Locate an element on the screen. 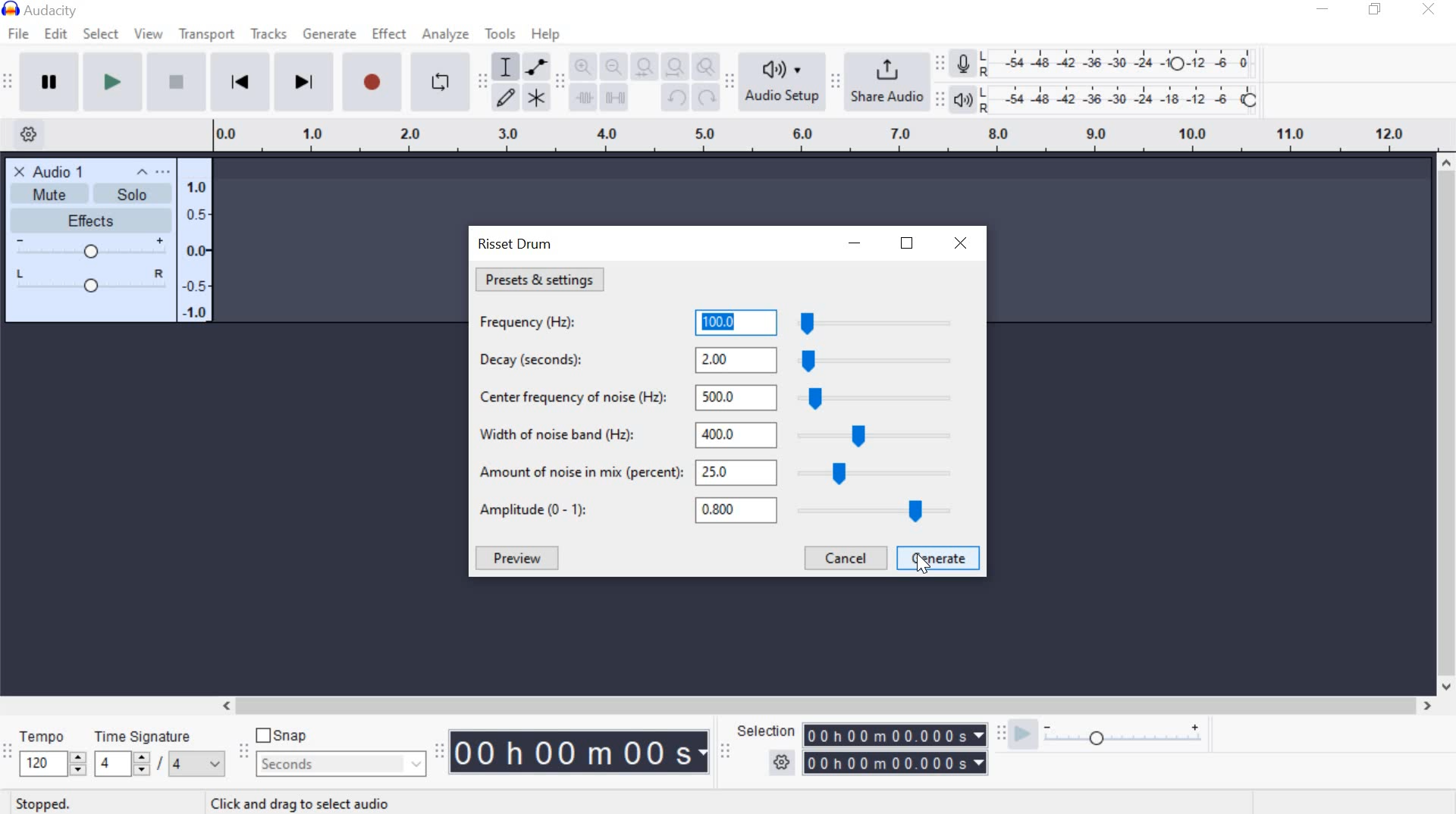 The image size is (1456, 814). GENERATE is located at coordinates (939, 559).